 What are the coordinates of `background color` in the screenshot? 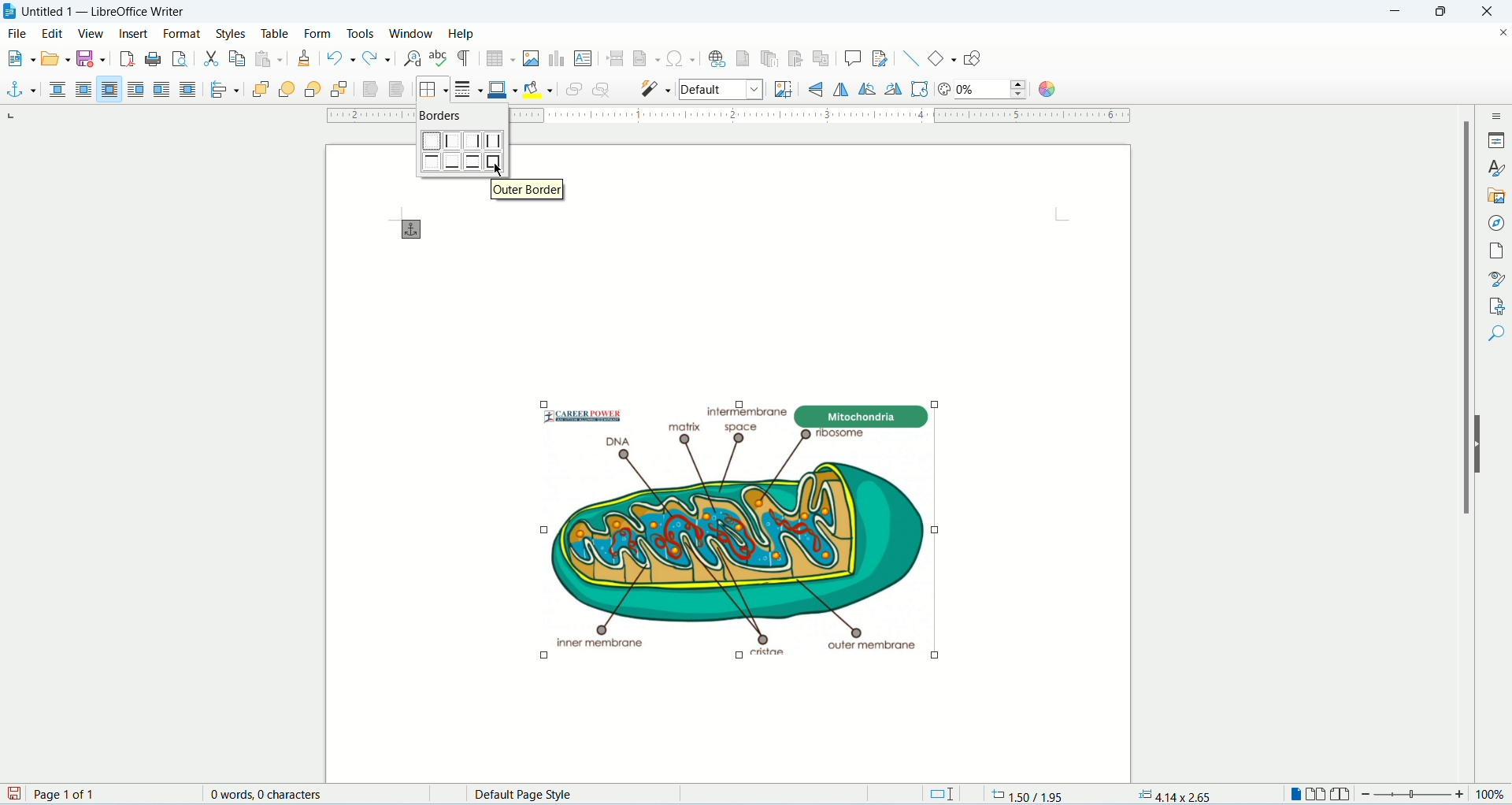 It's located at (538, 90).